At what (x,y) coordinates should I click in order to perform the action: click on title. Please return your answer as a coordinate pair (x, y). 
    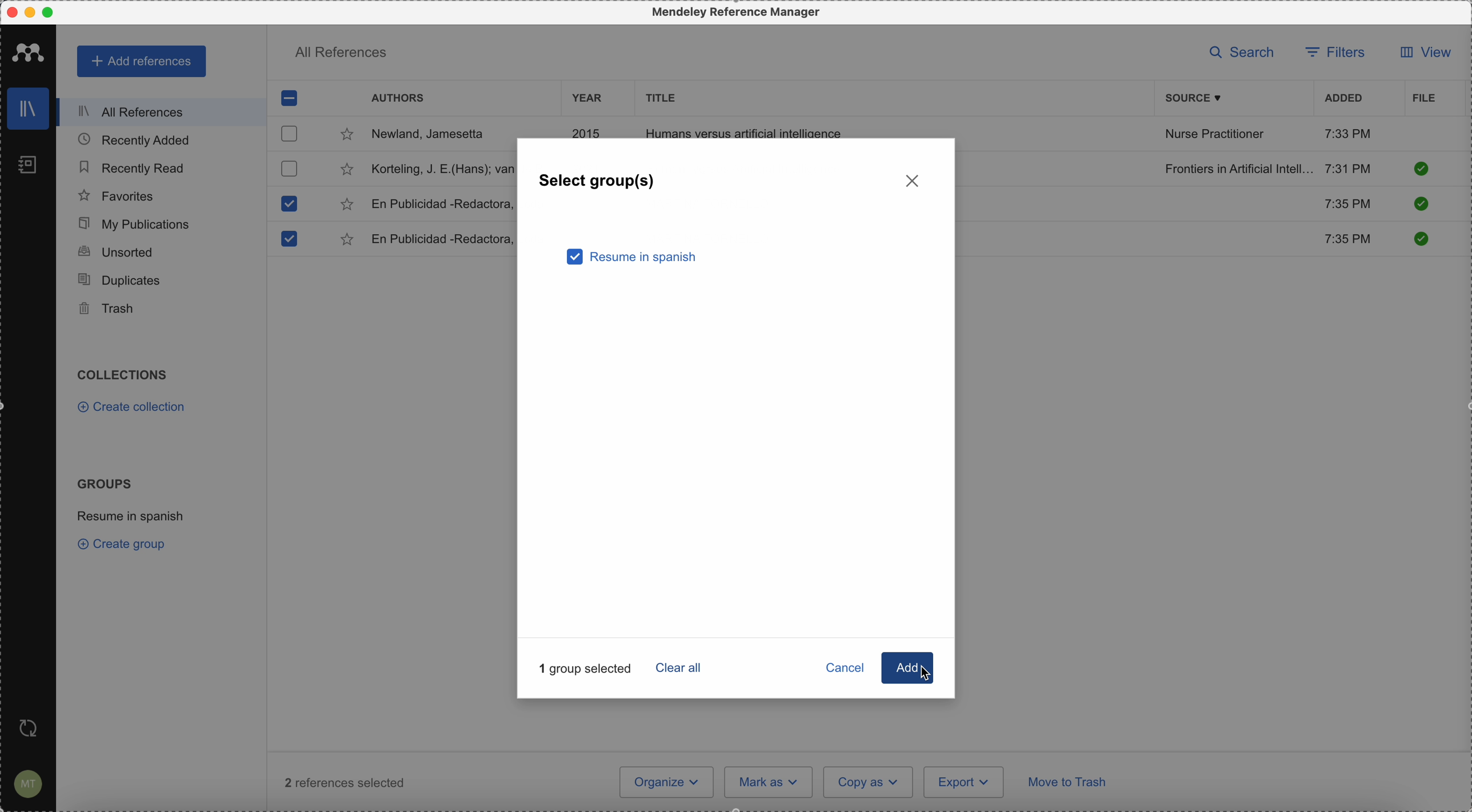
    Looking at the image, I should click on (658, 97).